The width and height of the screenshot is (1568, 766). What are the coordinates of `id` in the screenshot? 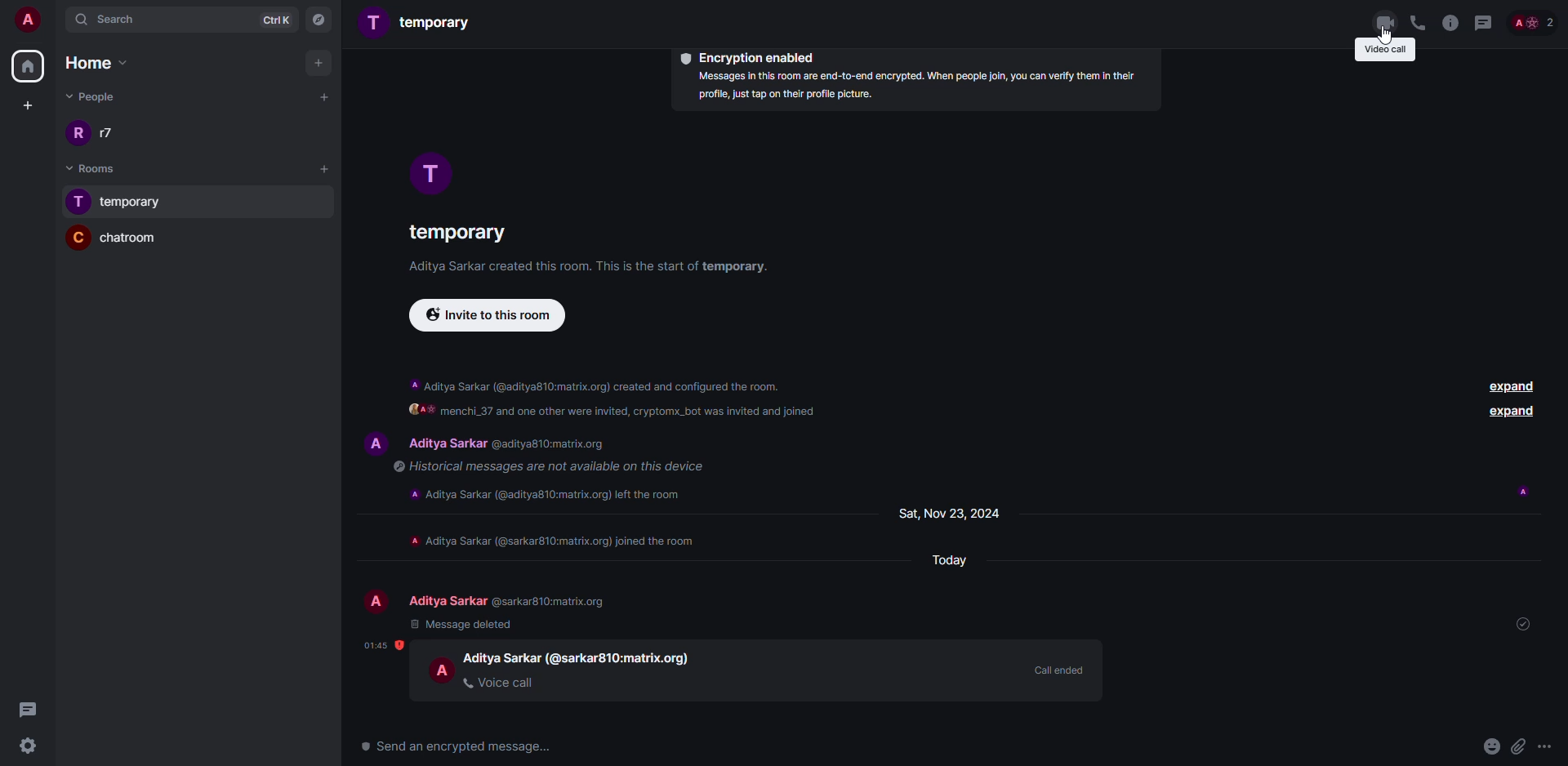 It's located at (624, 658).